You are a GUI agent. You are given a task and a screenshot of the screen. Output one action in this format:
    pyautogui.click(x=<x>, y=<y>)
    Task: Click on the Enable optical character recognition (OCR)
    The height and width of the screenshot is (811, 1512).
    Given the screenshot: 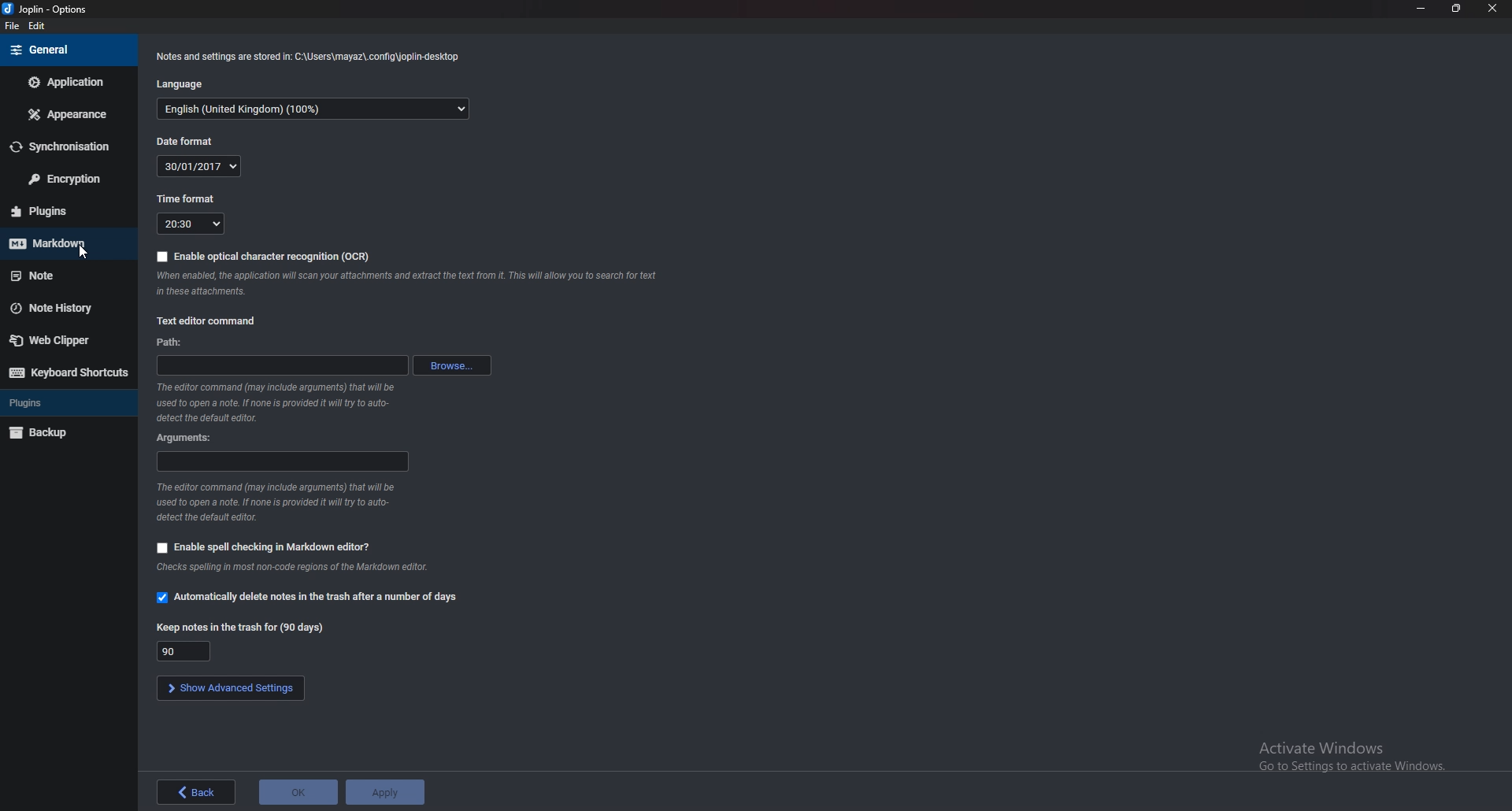 What is the action you would take?
    pyautogui.click(x=261, y=255)
    